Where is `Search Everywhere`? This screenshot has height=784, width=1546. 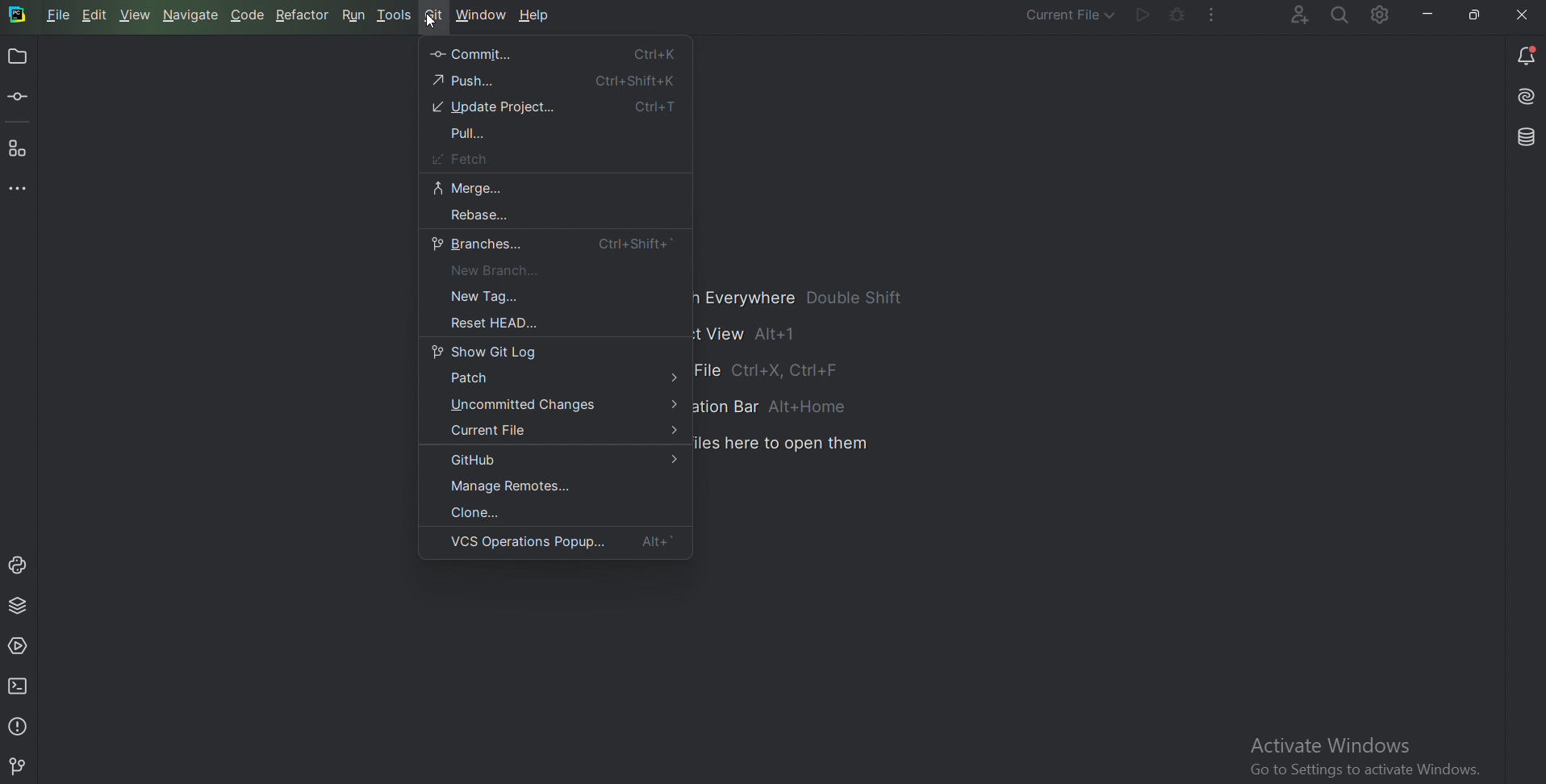
Search Everywhere is located at coordinates (809, 298).